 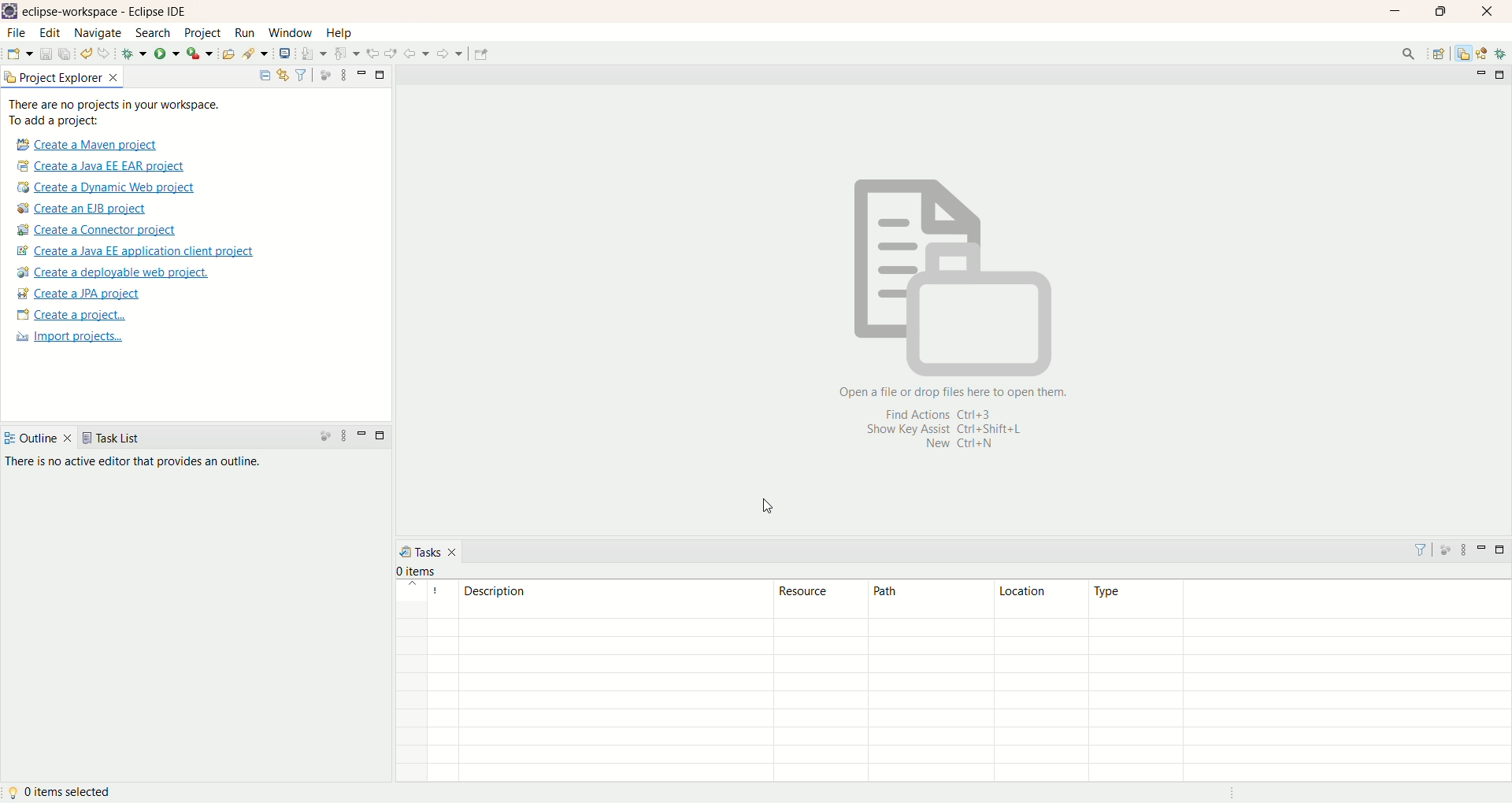 What do you see at coordinates (1502, 552) in the screenshot?
I see `maximize` at bounding box center [1502, 552].